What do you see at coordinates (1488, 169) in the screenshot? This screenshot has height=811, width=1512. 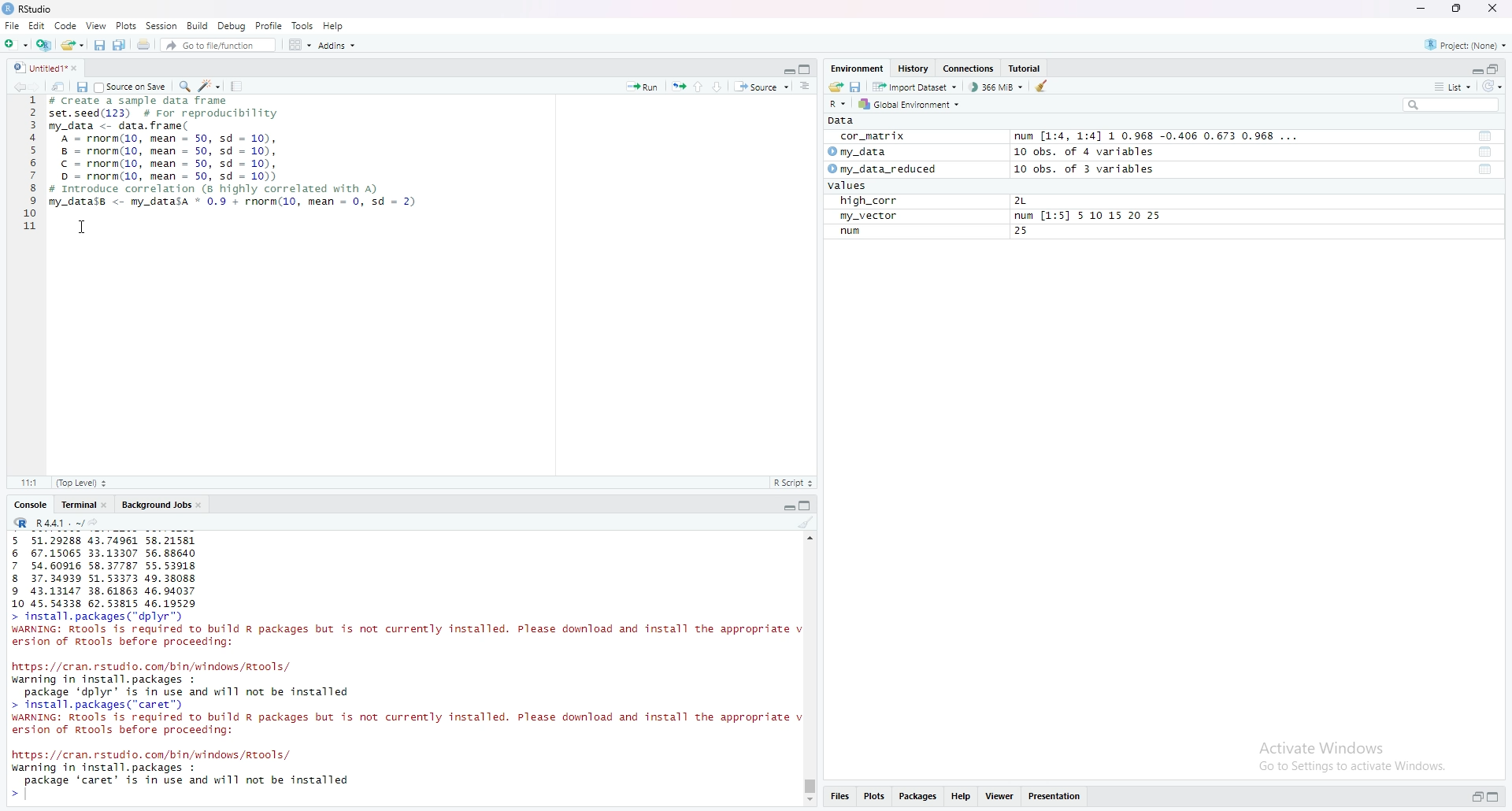 I see `tool` at bounding box center [1488, 169].